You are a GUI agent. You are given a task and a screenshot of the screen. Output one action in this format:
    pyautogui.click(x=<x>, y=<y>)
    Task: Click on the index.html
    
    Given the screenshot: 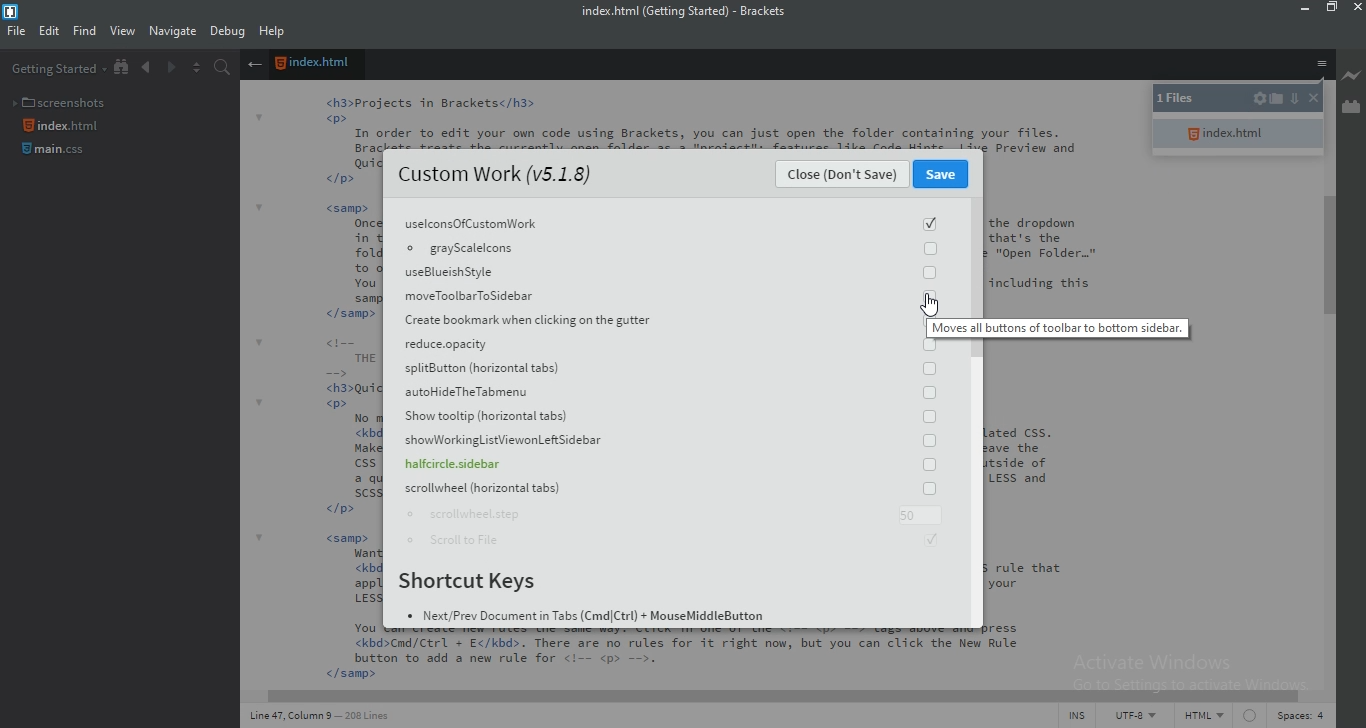 What is the action you would take?
    pyautogui.click(x=1237, y=134)
    